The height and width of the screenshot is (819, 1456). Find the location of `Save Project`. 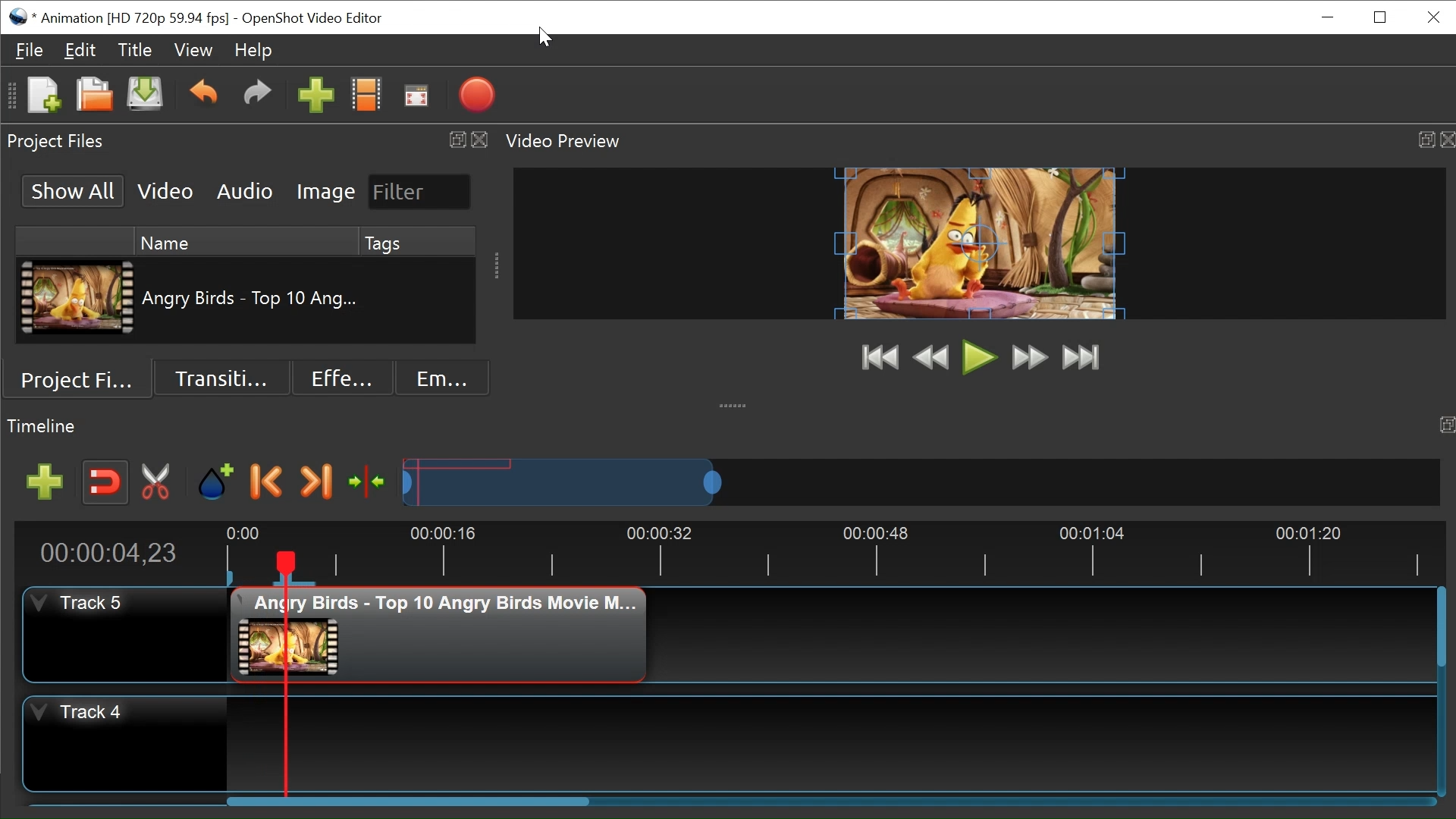

Save Project is located at coordinates (144, 96).